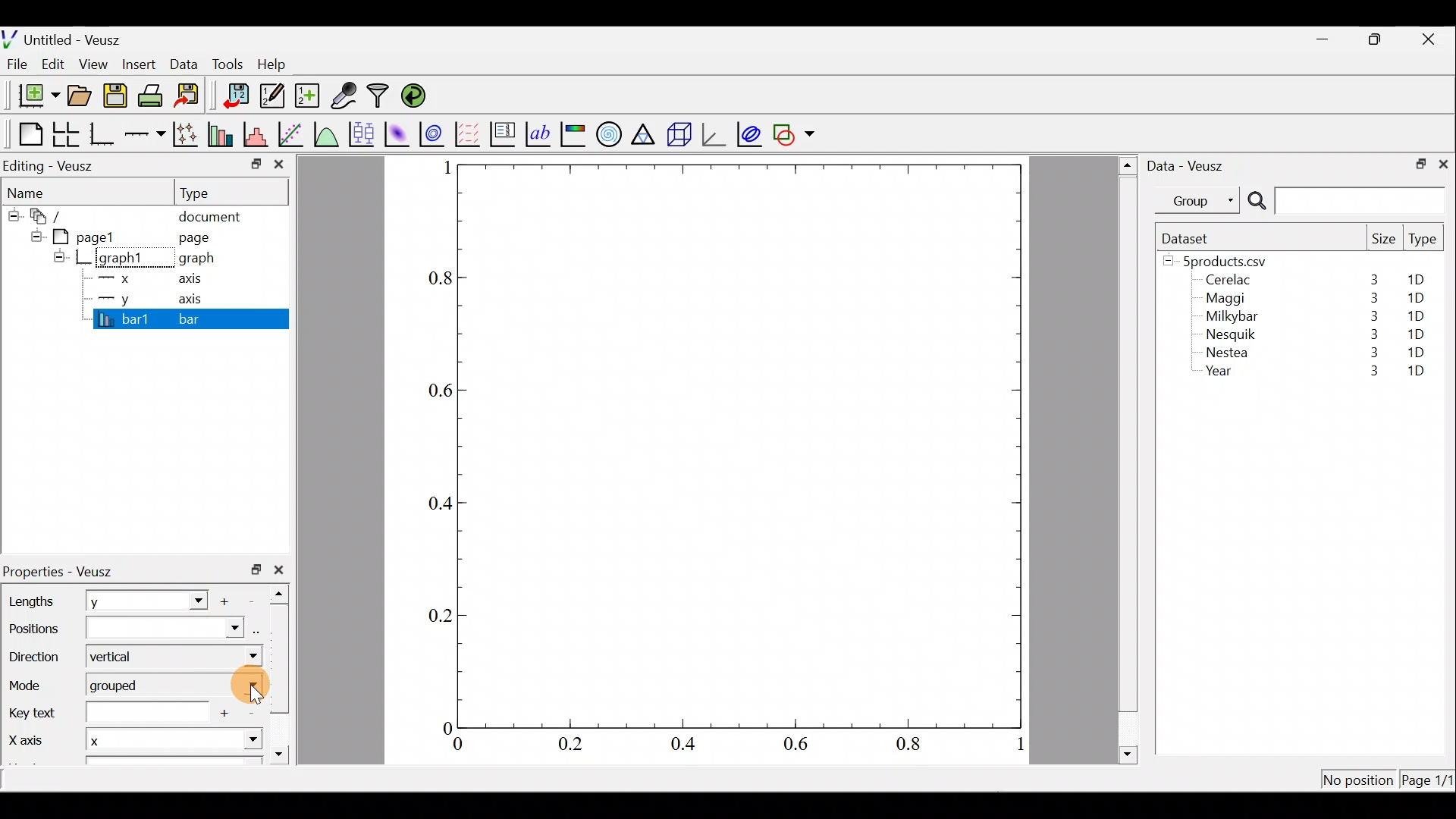 This screenshot has height=819, width=1456. What do you see at coordinates (1371, 334) in the screenshot?
I see `3` at bounding box center [1371, 334].